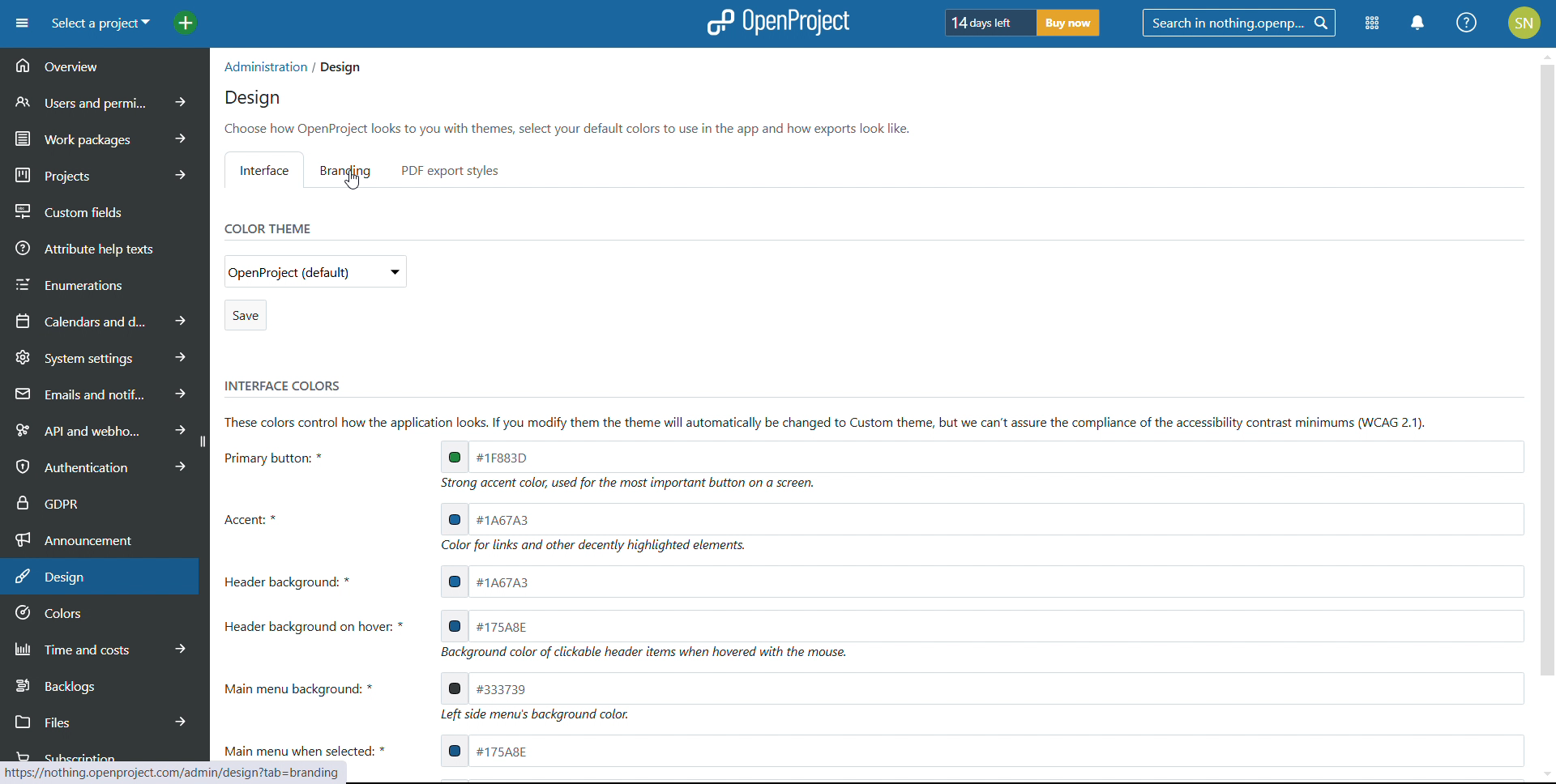  What do you see at coordinates (1546, 774) in the screenshot?
I see `scroll down` at bounding box center [1546, 774].